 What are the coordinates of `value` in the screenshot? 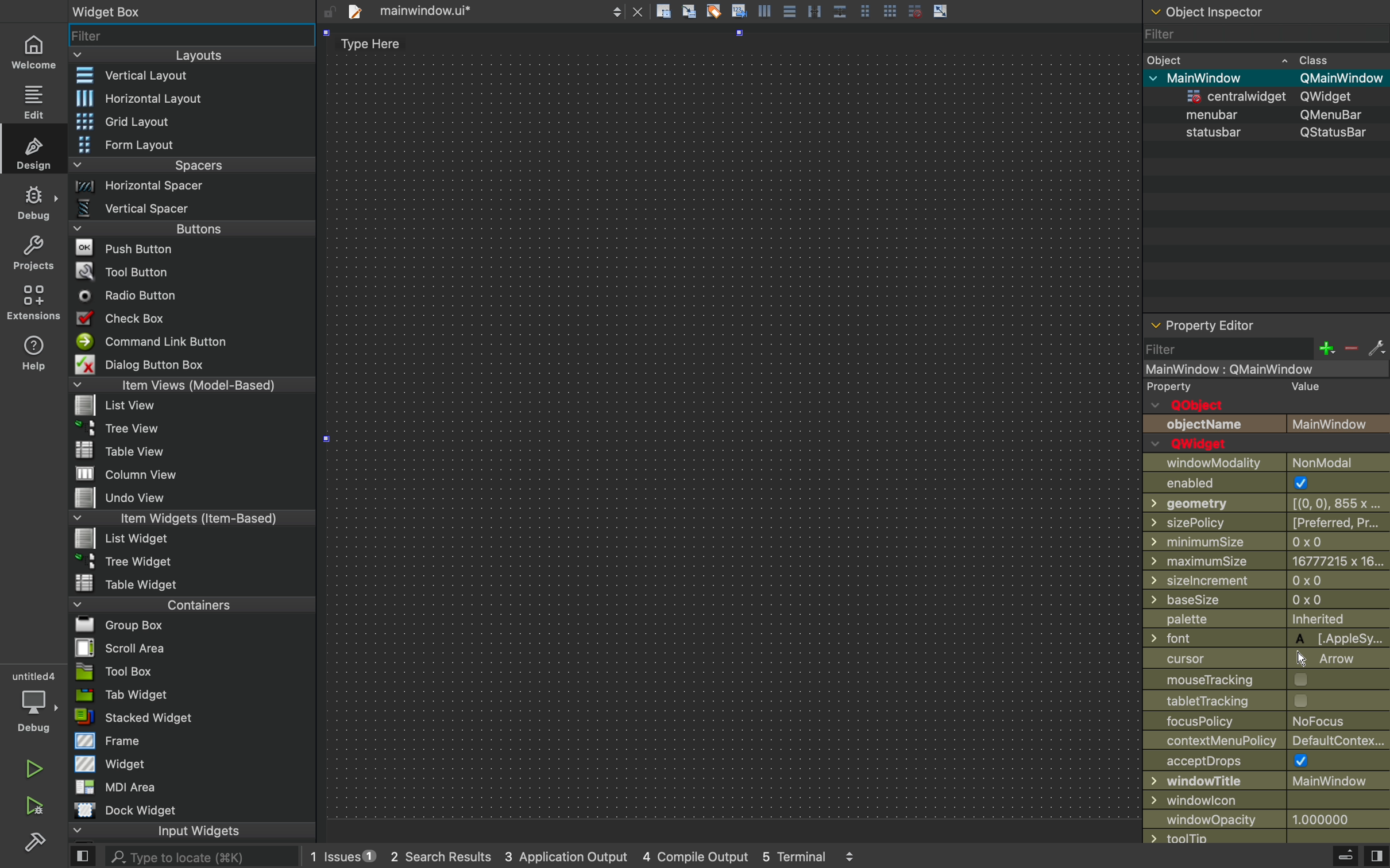 It's located at (1300, 388).